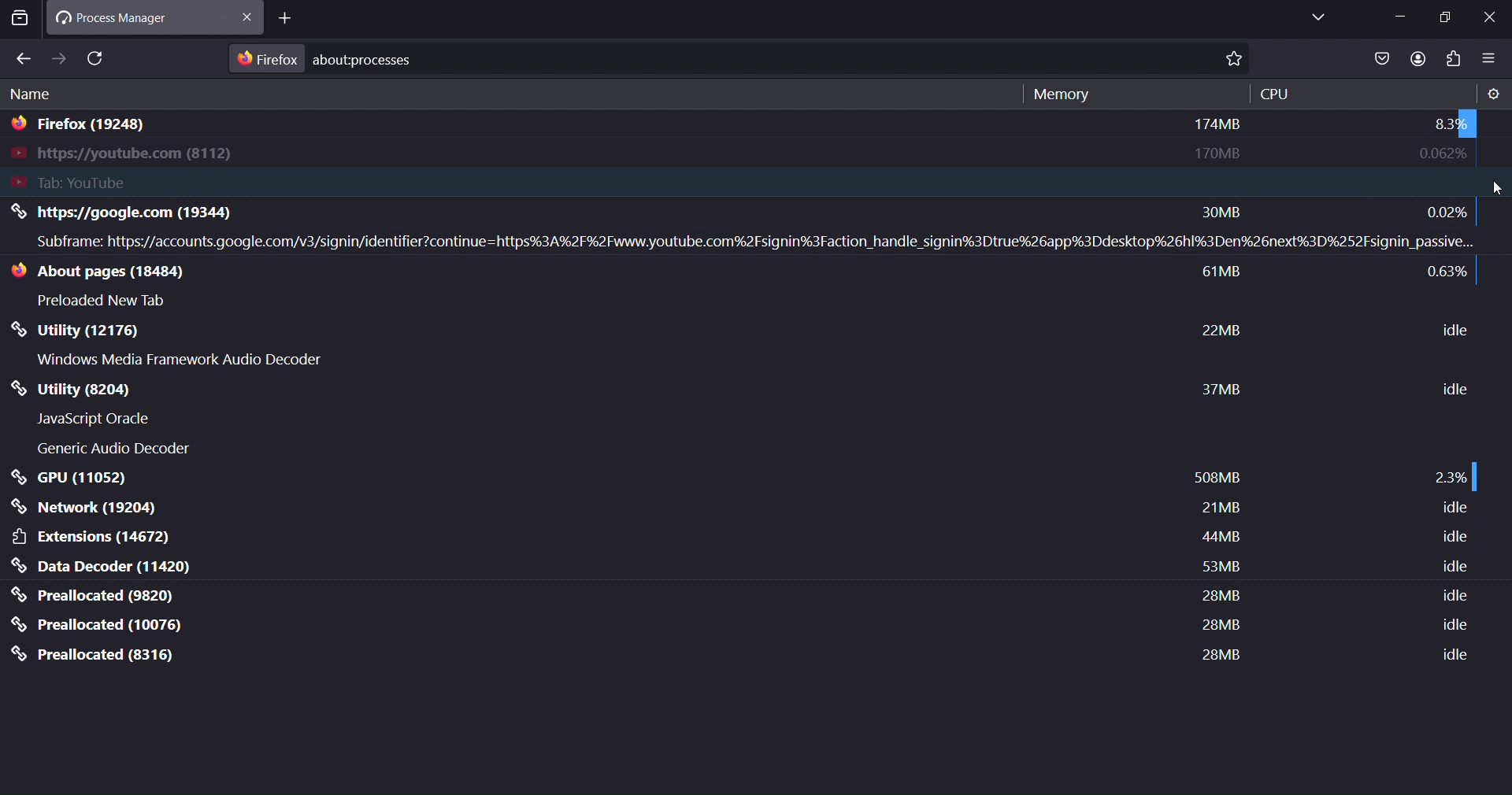 The height and width of the screenshot is (795, 1512). I want to click on 2.3%, so click(1448, 476).